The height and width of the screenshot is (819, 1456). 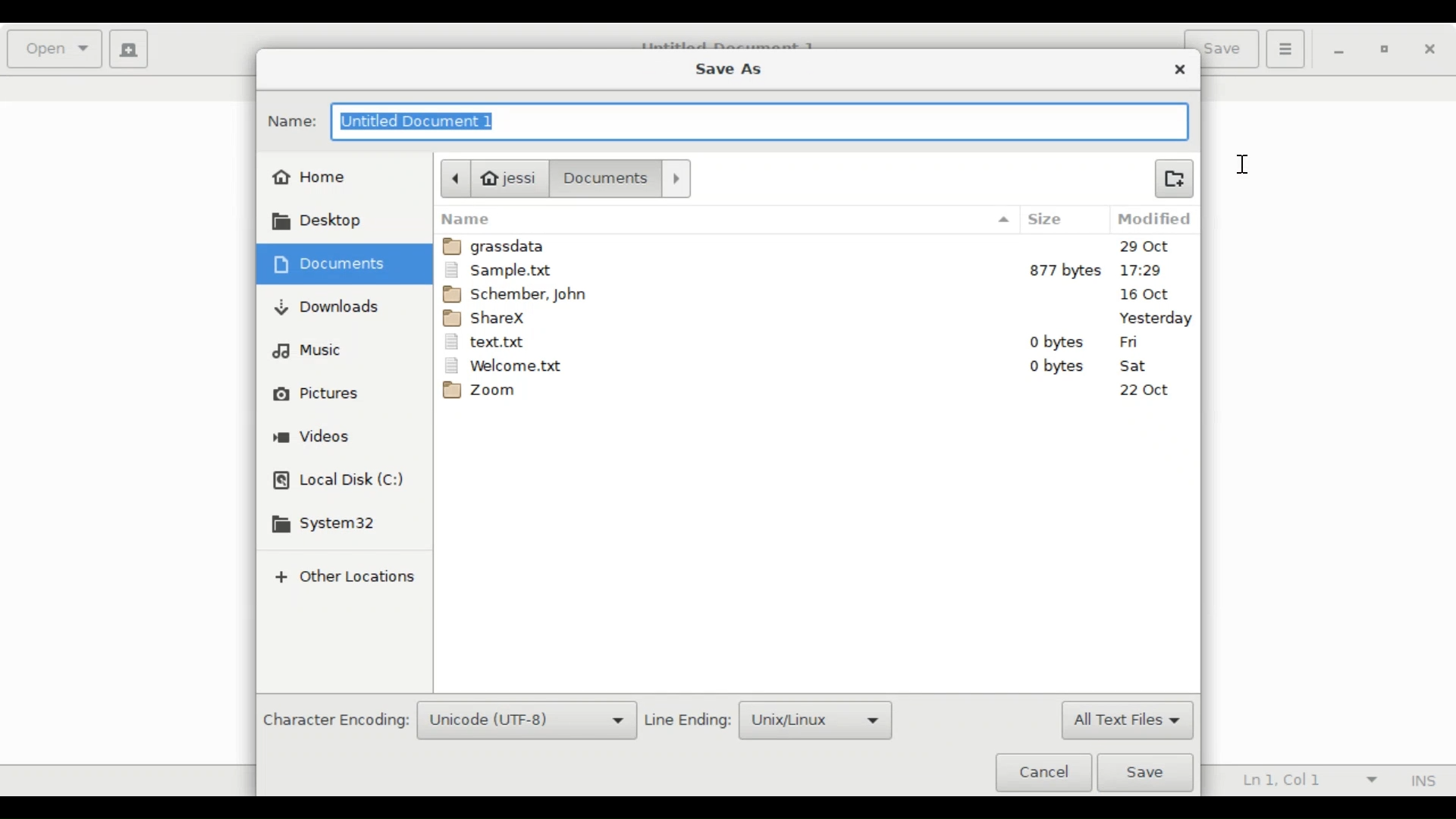 What do you see at coordinates (757, 124) in the screenshot?
I see `Untitled Document 1` at bounding box center [757, 124].